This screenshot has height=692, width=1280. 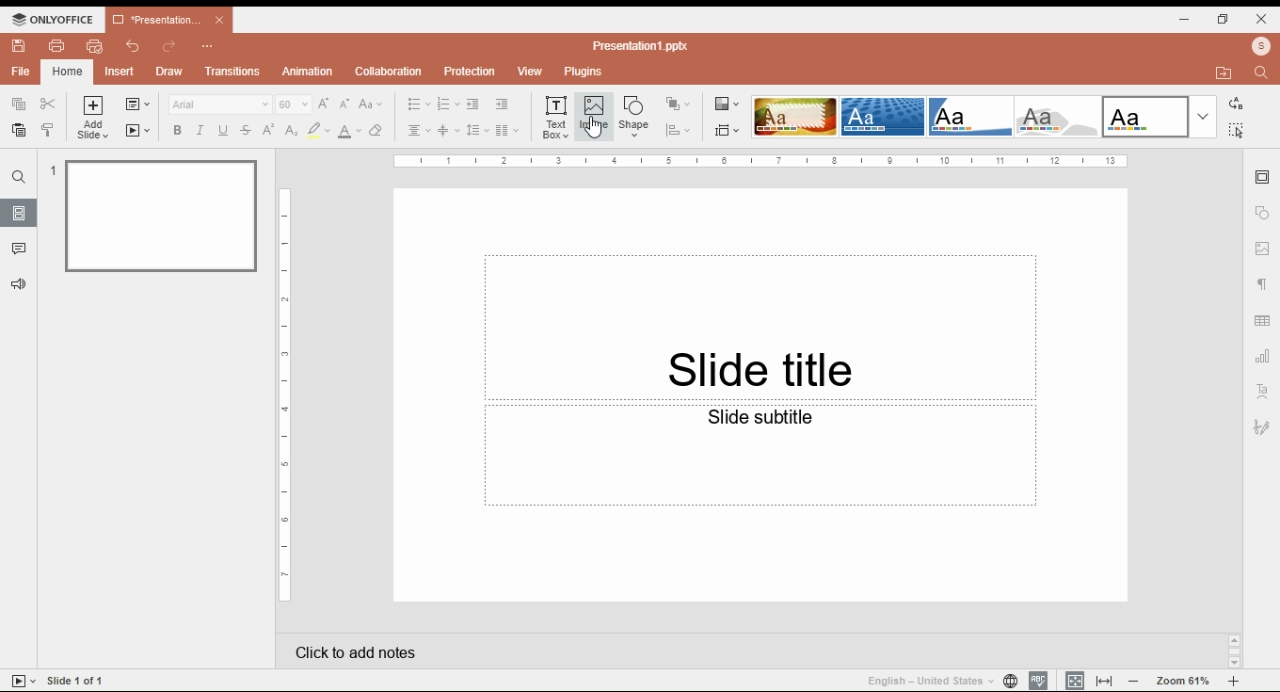 What do you see at coordinates (881, 117) in the screenshot?
I see `theme 2` at bounding box center [881, 117].